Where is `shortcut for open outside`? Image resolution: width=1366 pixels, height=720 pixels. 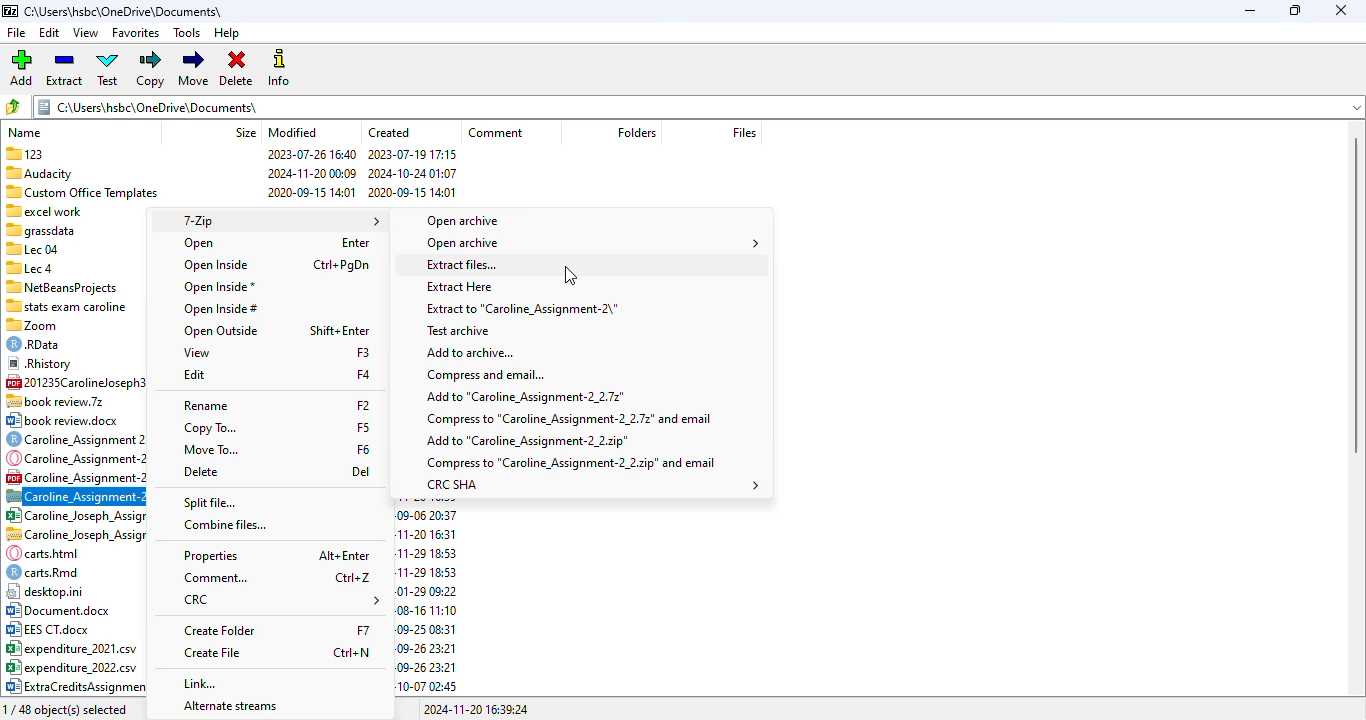 shortcut for open outside is located at coordinates (340, 330).